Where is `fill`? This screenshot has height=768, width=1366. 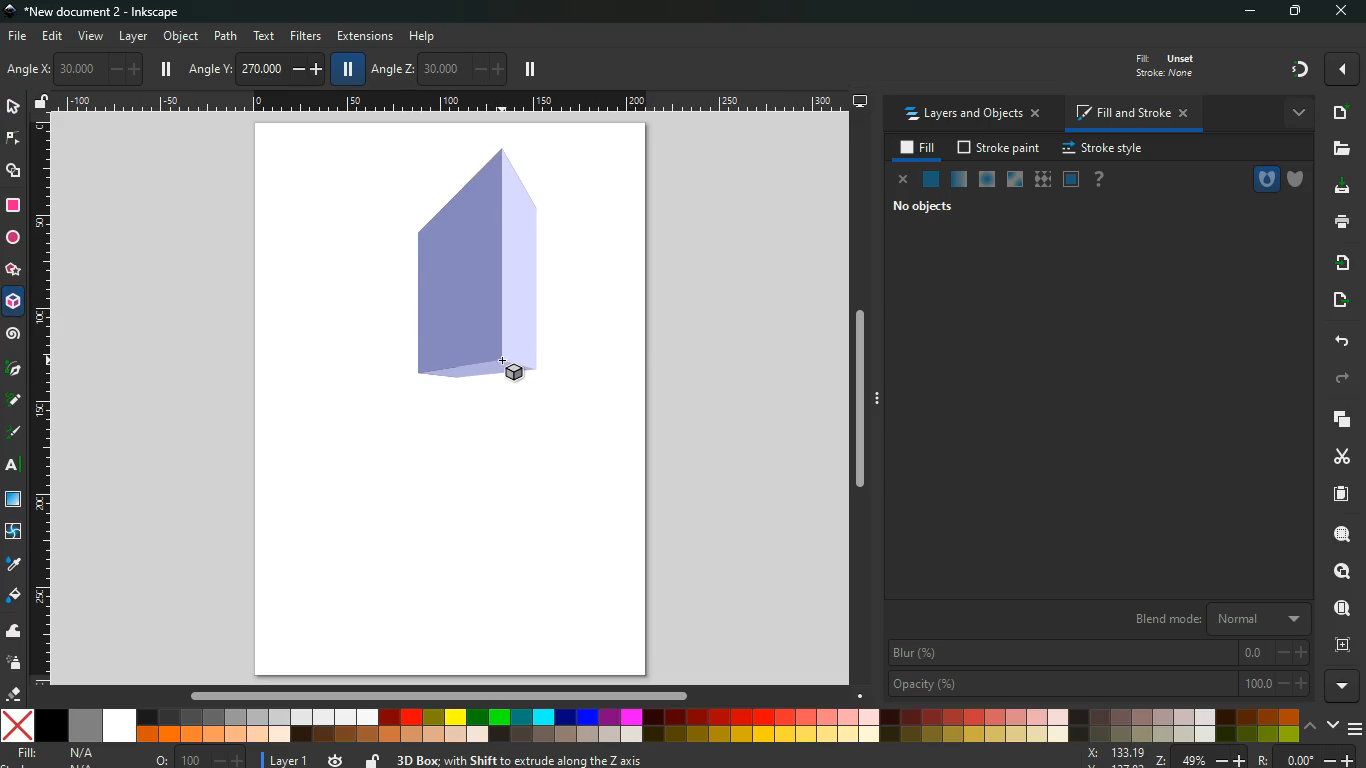 fill is located at coordinates (1162, 64).